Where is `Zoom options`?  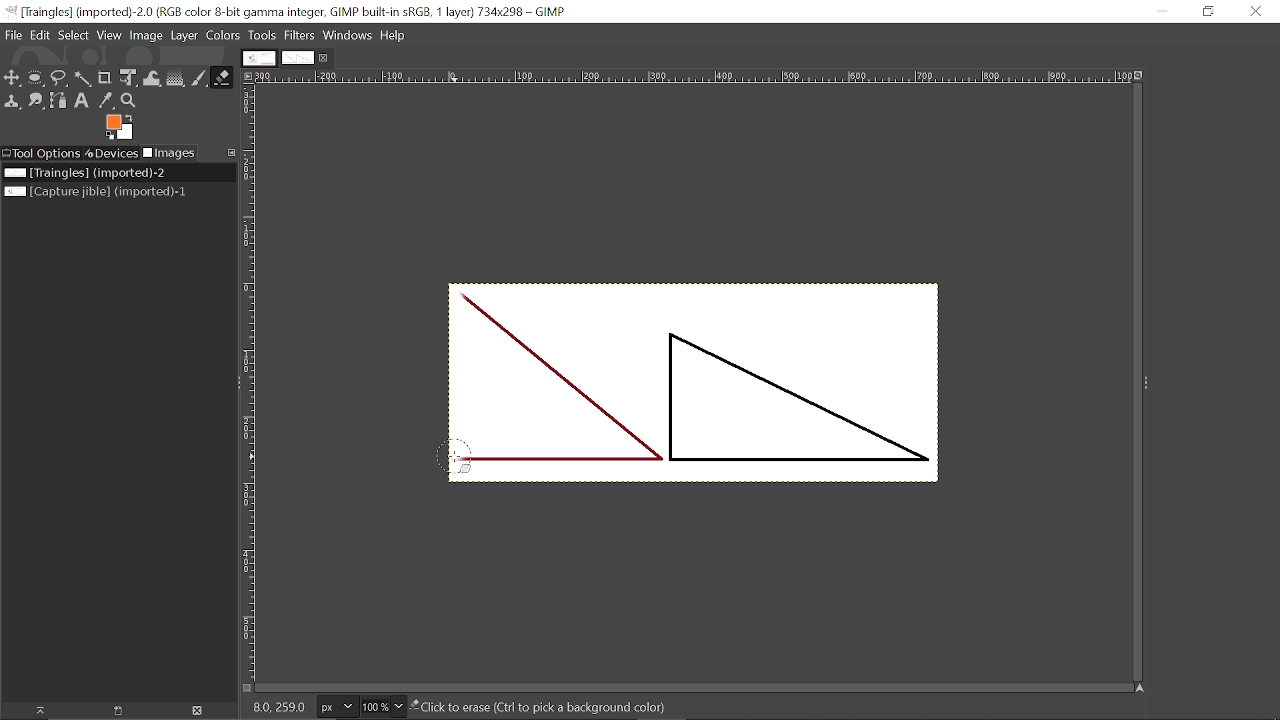
Zoom options is located at coordinates (398, 706).